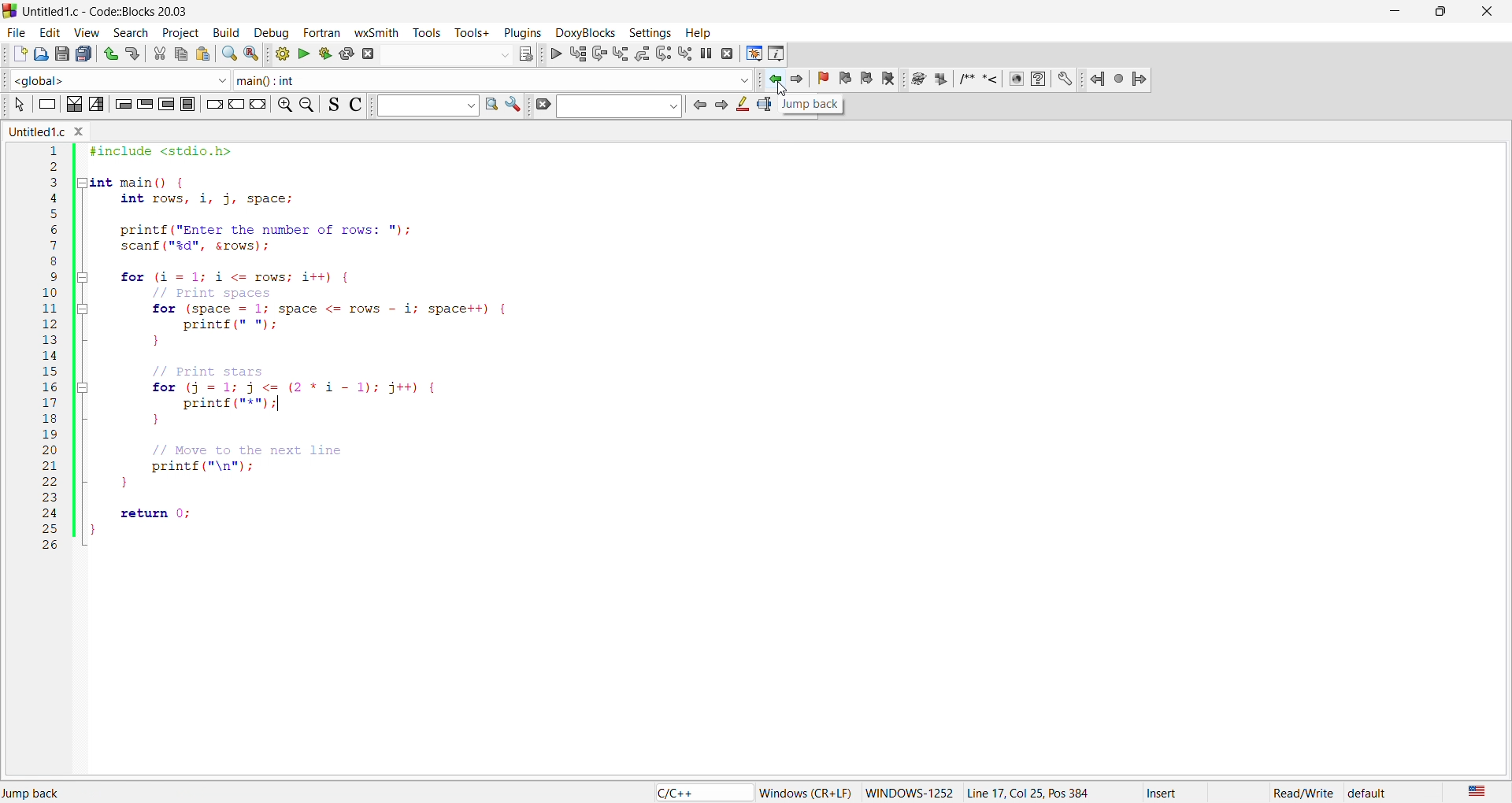  What do you see at coordinates (132, 54) in the screenshot?
I see `redo` at bounding box center [132, 54].